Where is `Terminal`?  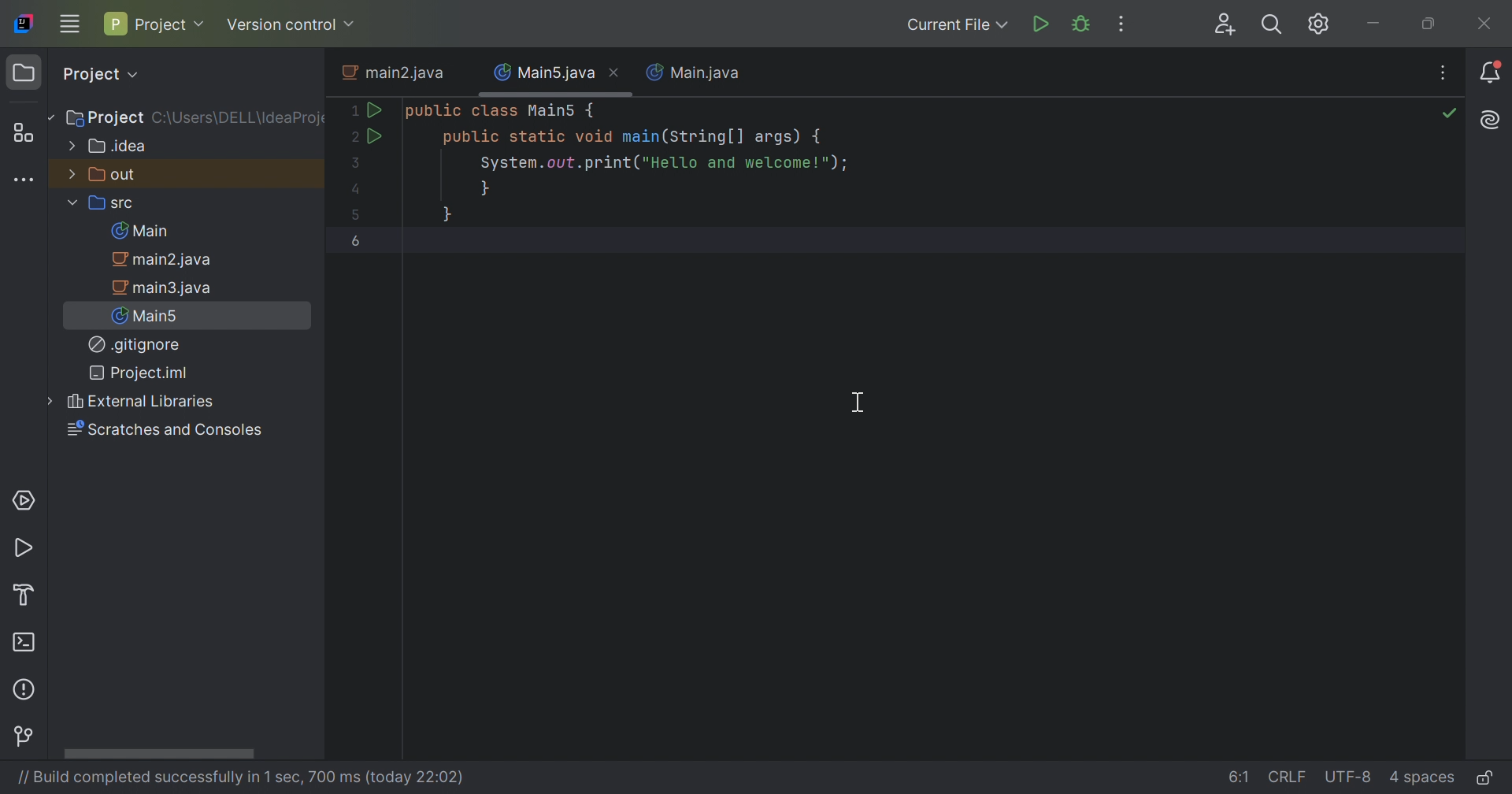 Terminal is located at coordinates (27, 645).